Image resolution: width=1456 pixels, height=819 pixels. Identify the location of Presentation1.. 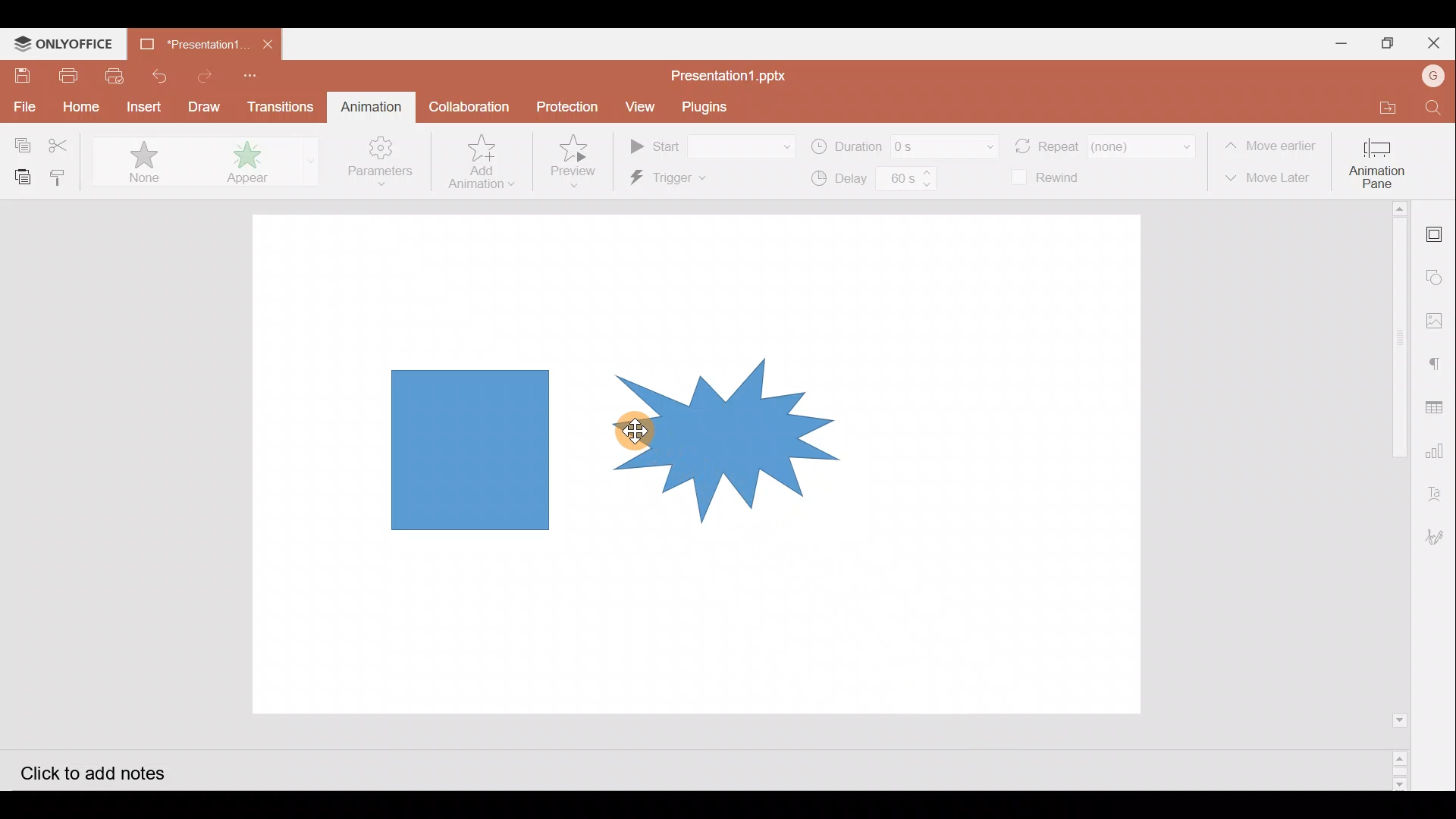
(190, 40).